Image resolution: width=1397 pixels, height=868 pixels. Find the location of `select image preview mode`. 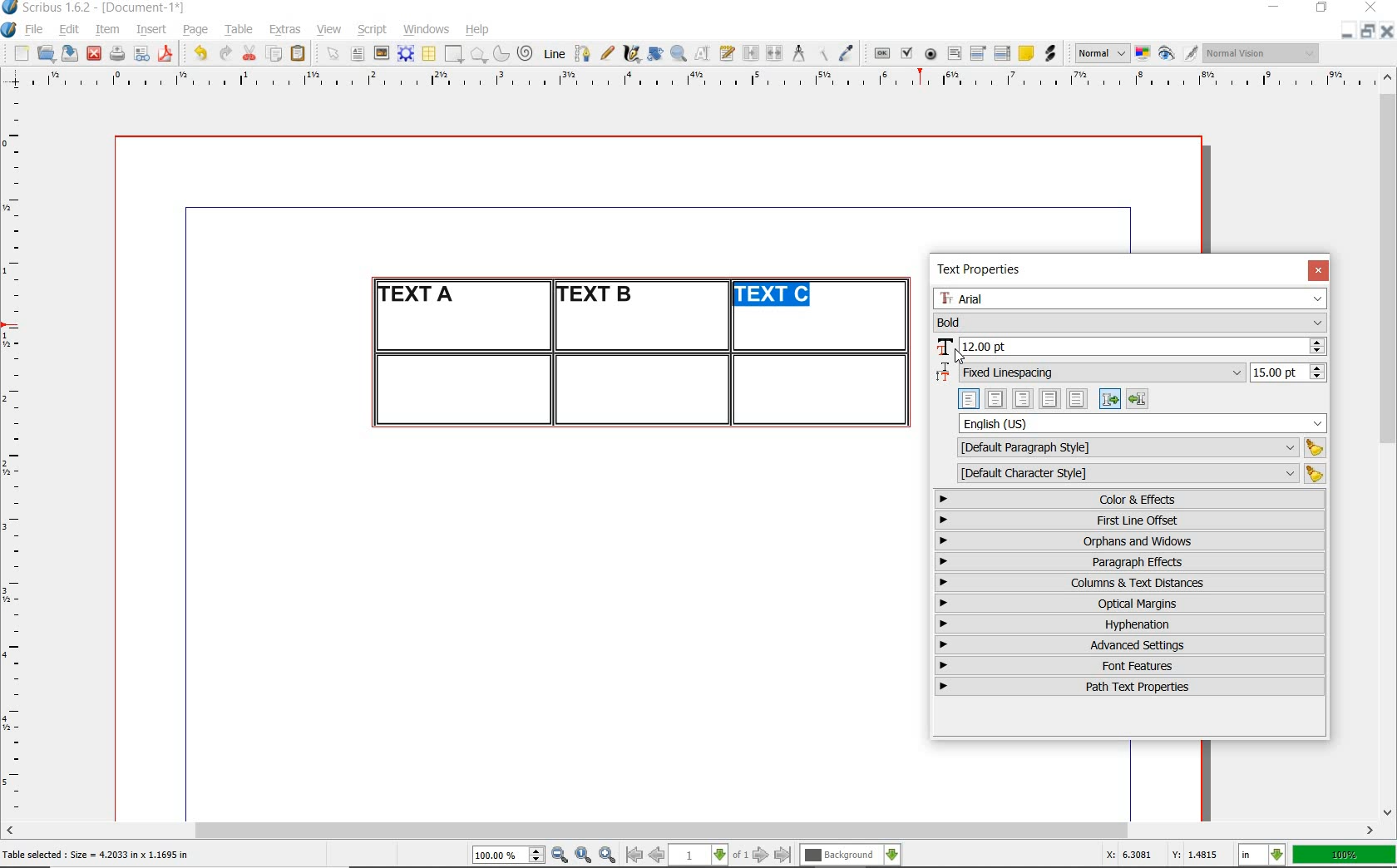

select image preview mode is located at coordinates (1101, 54).